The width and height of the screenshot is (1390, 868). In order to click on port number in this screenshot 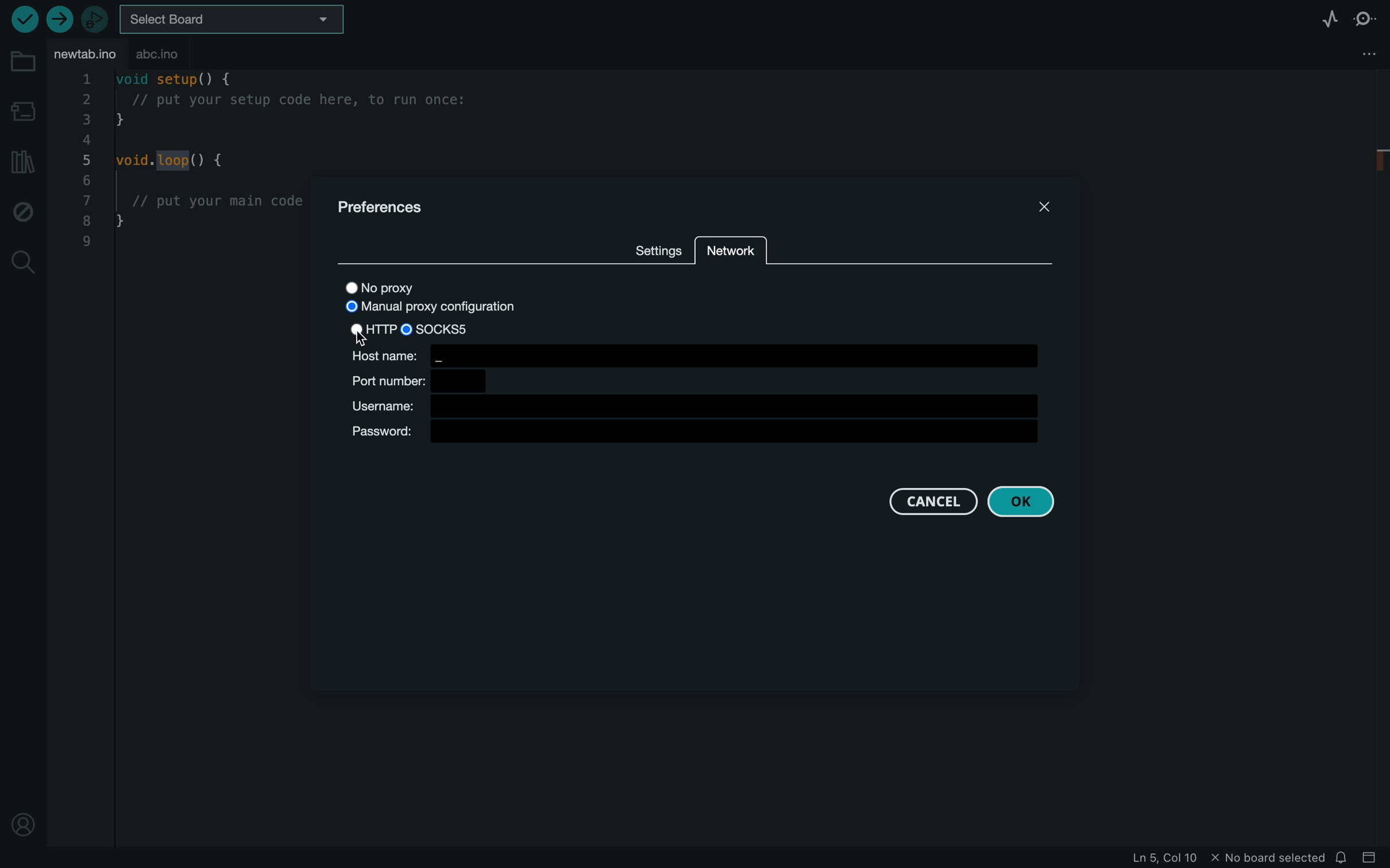, I will do `click(417, 381)`.